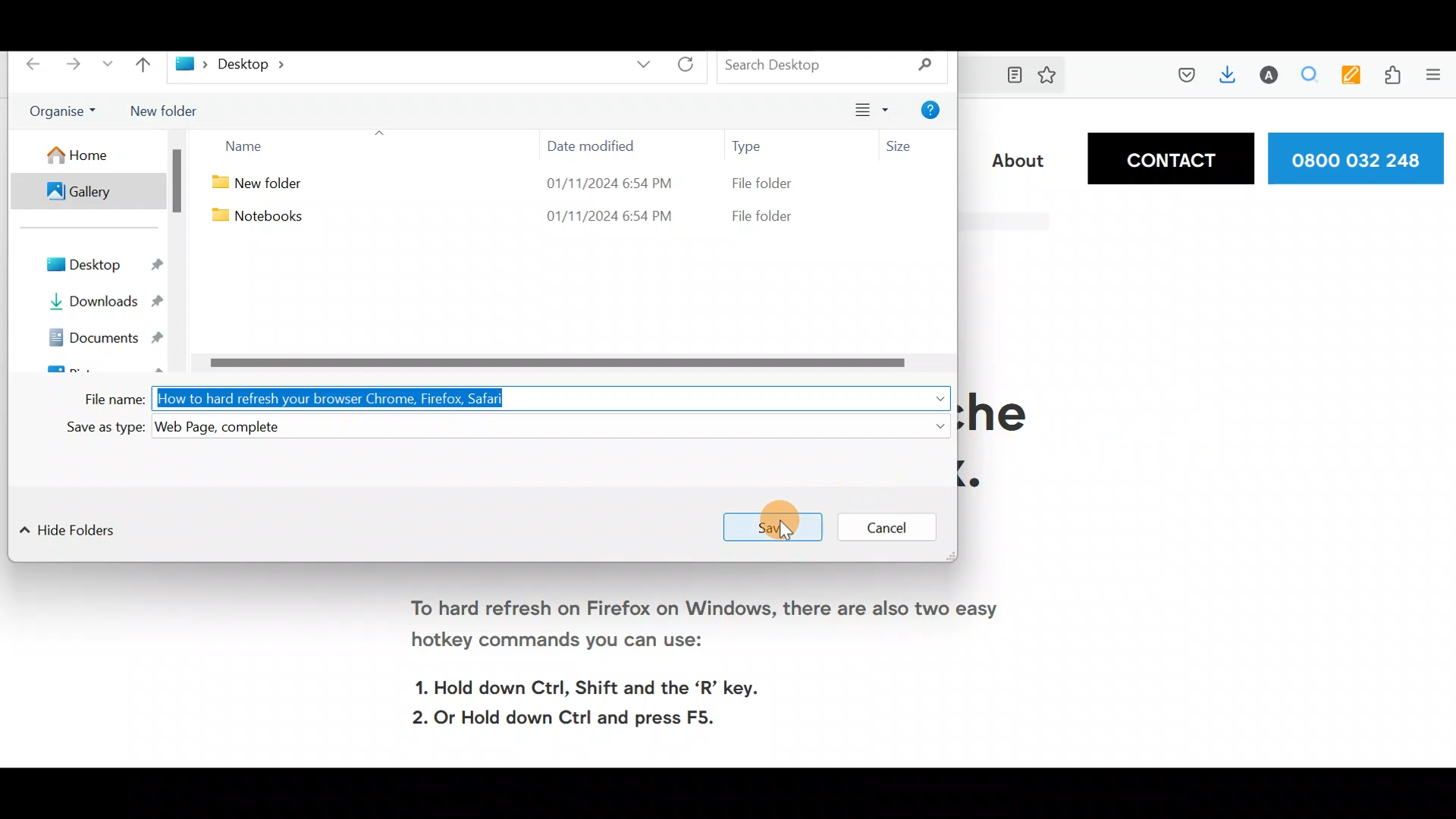  I want to click on 1. Hold down Ctrl, Shift and the ‘R’ key., so click(599, 684).